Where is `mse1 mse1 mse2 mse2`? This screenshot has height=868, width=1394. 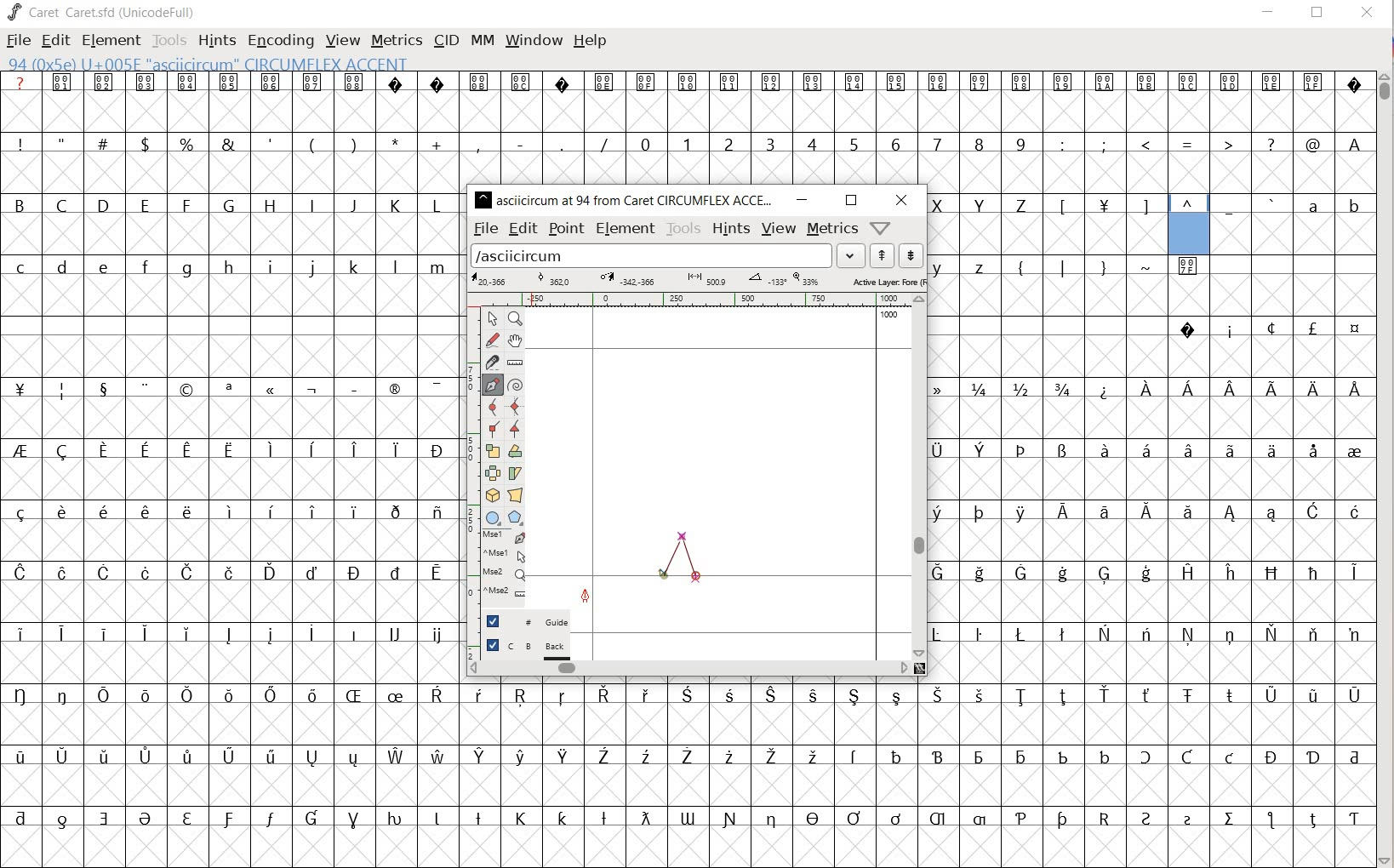
mse1 mse1 mse2 mse2 is located at coordinates (498, 565).